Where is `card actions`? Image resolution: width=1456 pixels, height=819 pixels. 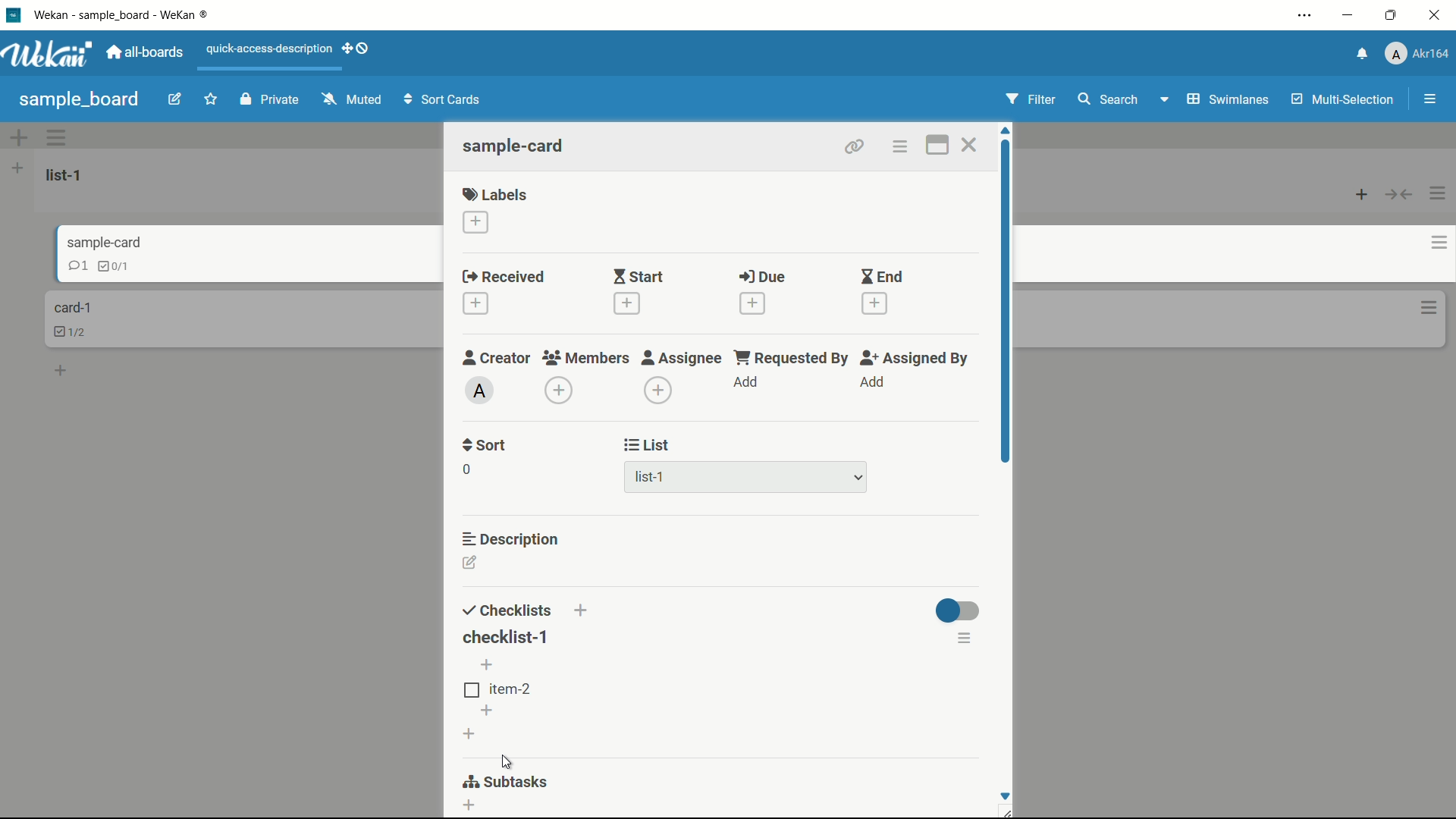 card actions is located at coordinates (1428, 243).